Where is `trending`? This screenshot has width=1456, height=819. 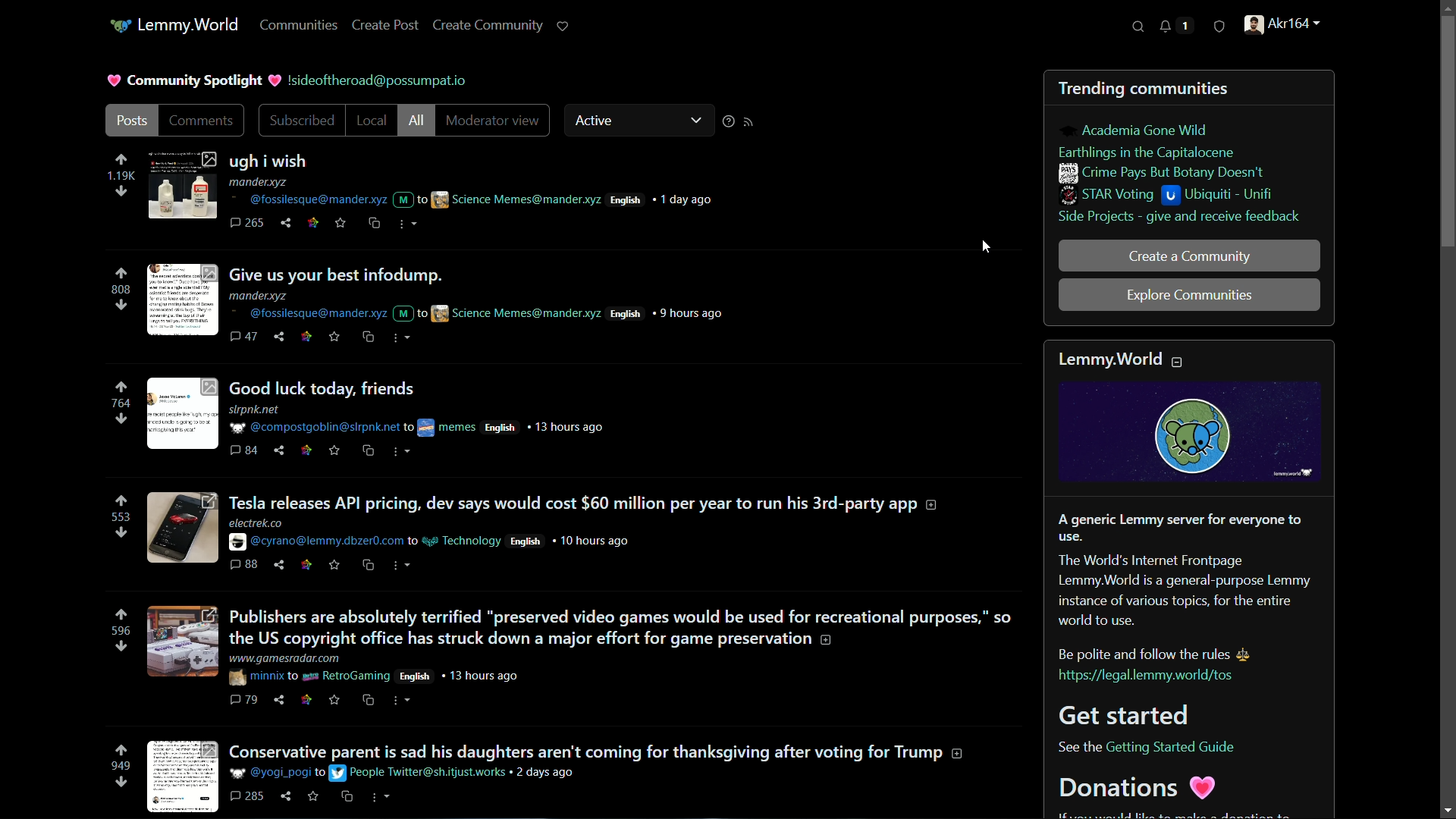 trending is located at coordinates (1091, 90).